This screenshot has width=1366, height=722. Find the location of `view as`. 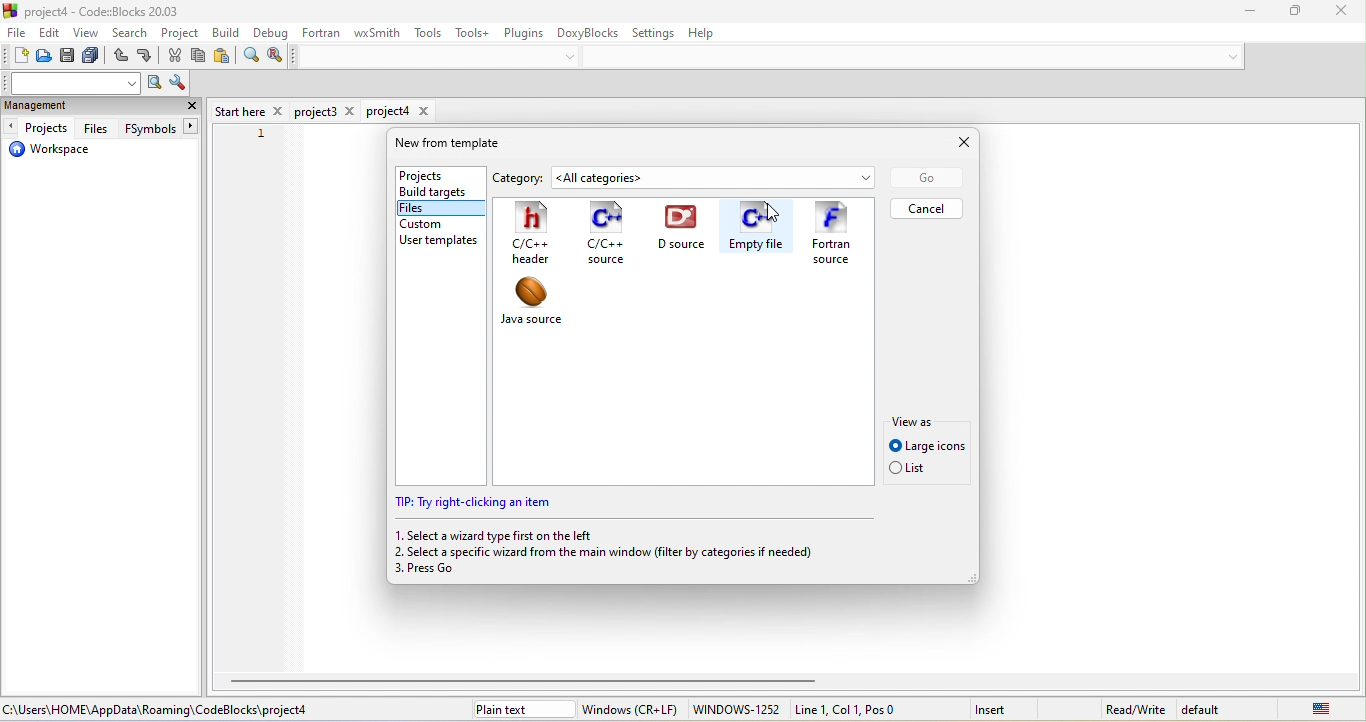

view as is located at coordinates (919, 419).